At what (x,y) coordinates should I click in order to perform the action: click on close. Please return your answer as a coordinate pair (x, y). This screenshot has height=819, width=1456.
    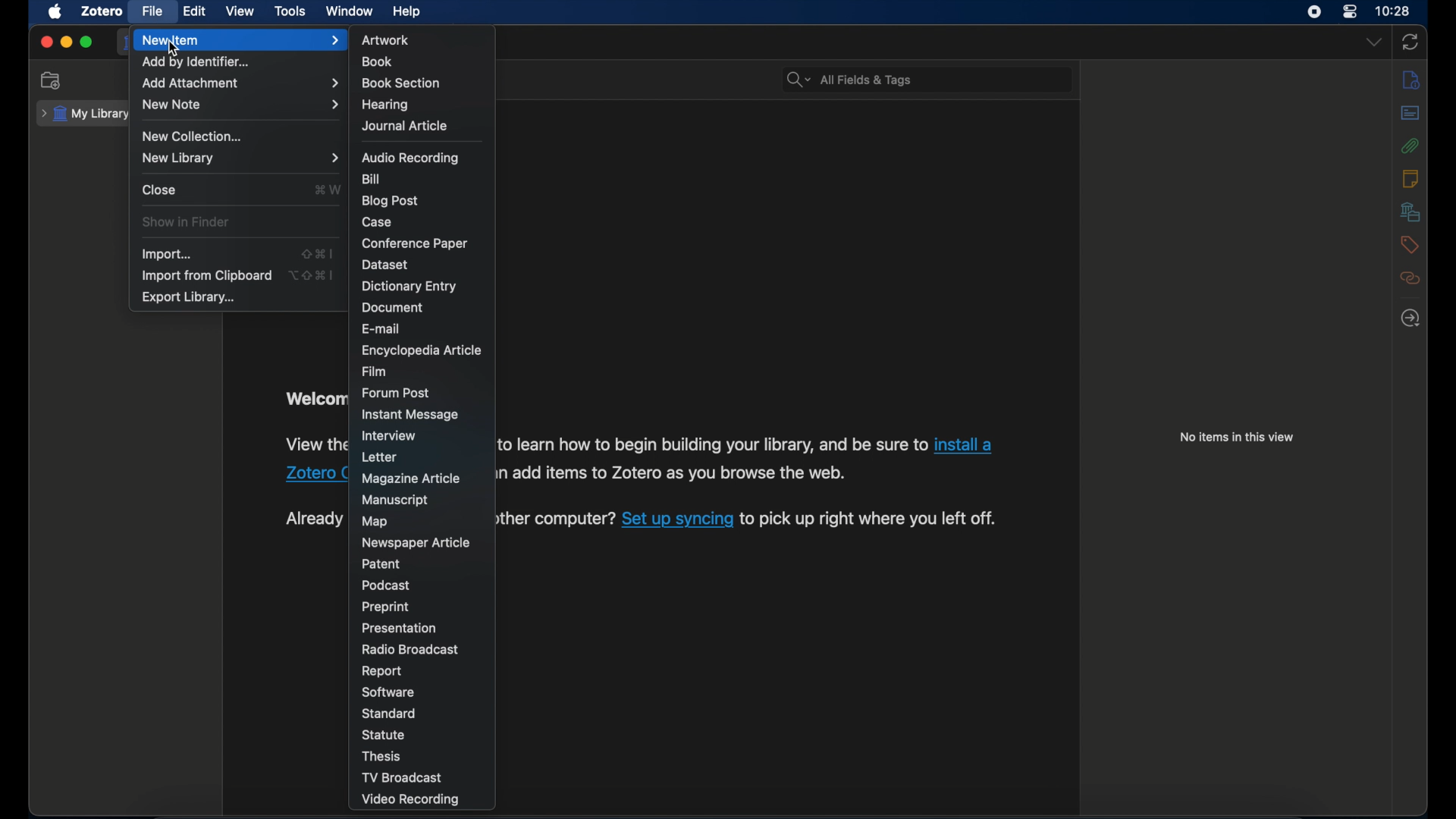
    Looking at the image, I should click on (161, 190).